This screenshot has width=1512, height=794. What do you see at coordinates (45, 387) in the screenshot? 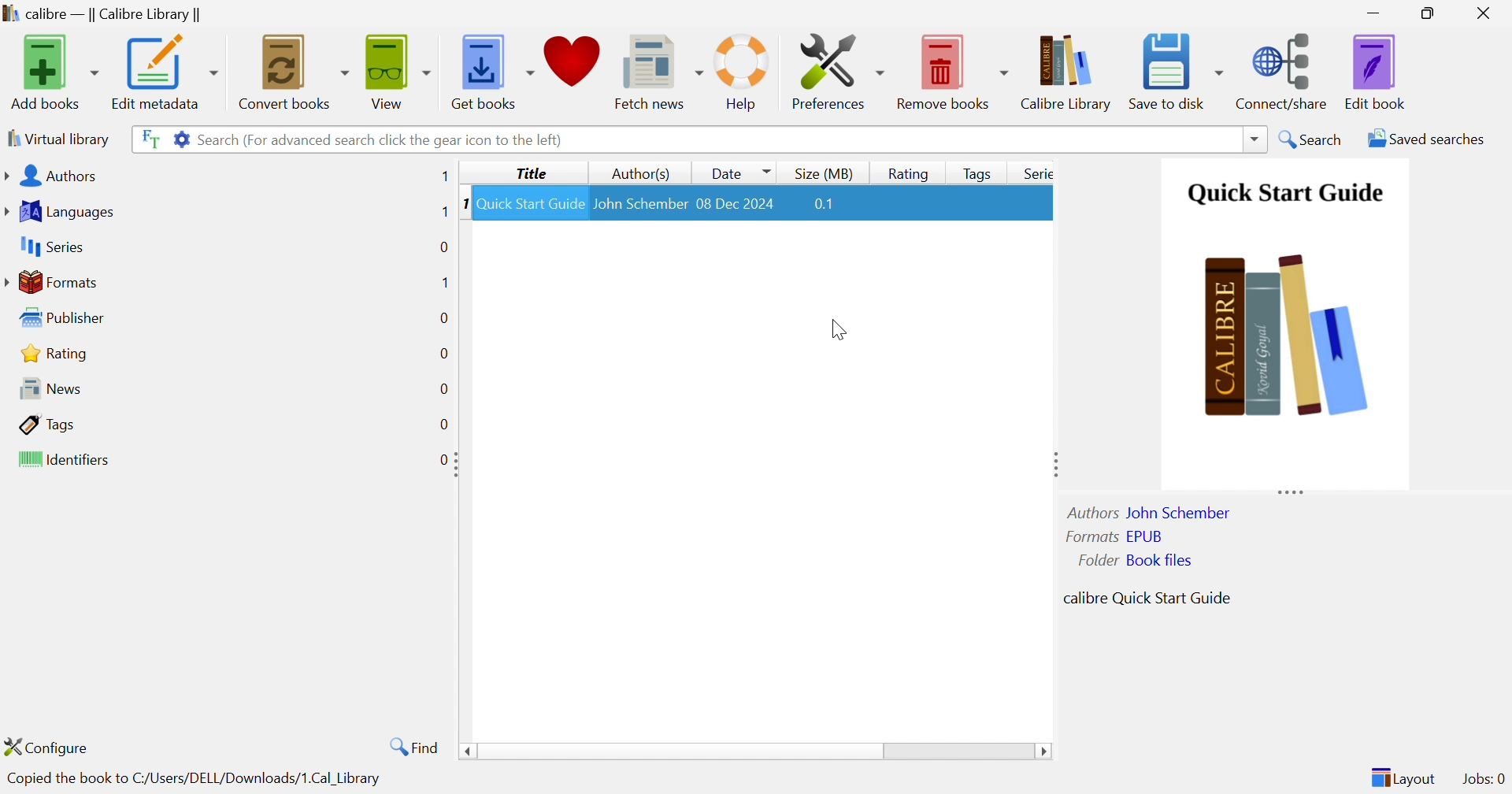
I see `News` at bounding box center [45, 387].